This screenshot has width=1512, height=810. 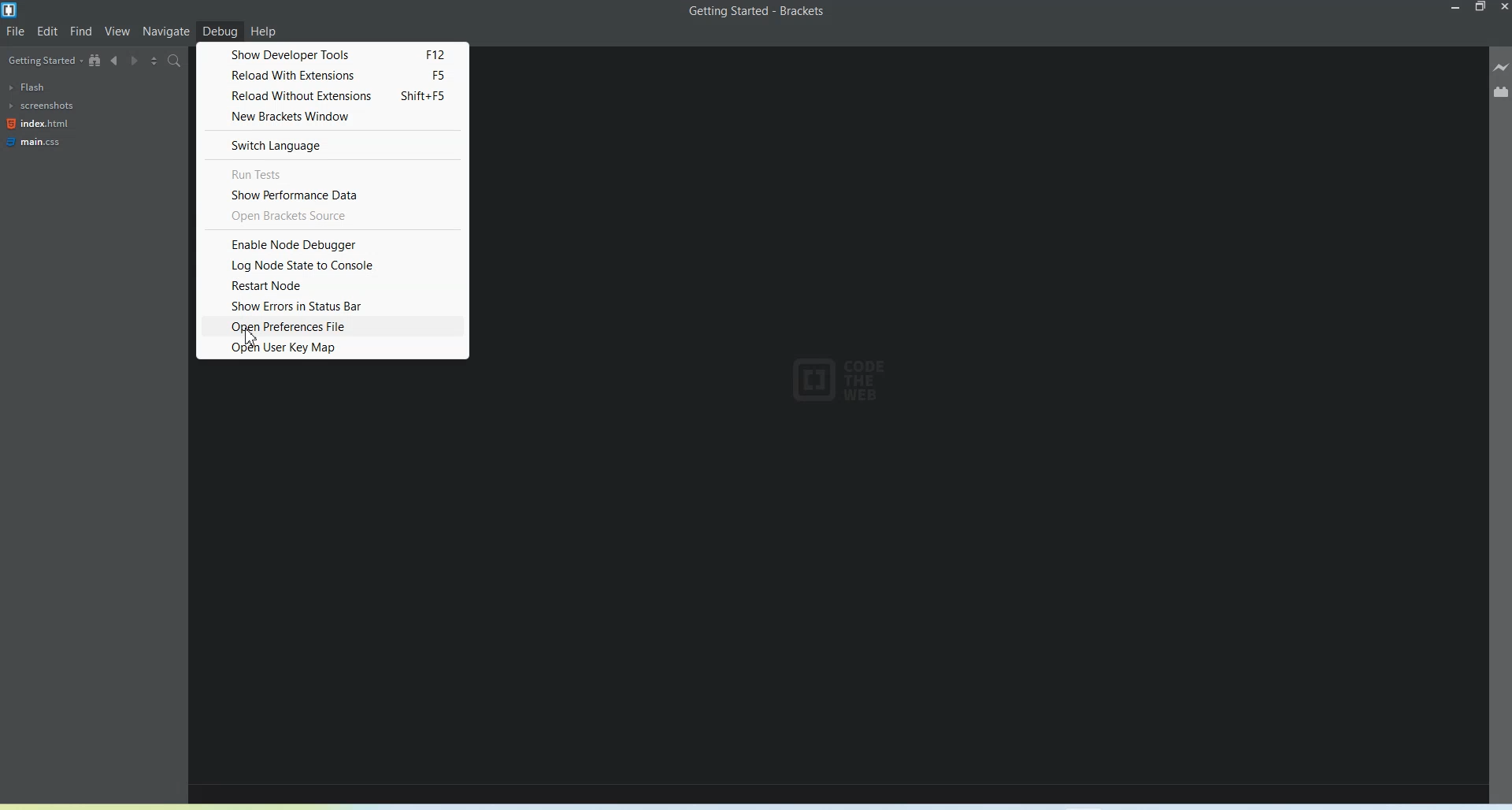 What do you see at coordinates (117, 32) in the screenshot?
I see `View` at bounding box center [117, 32].